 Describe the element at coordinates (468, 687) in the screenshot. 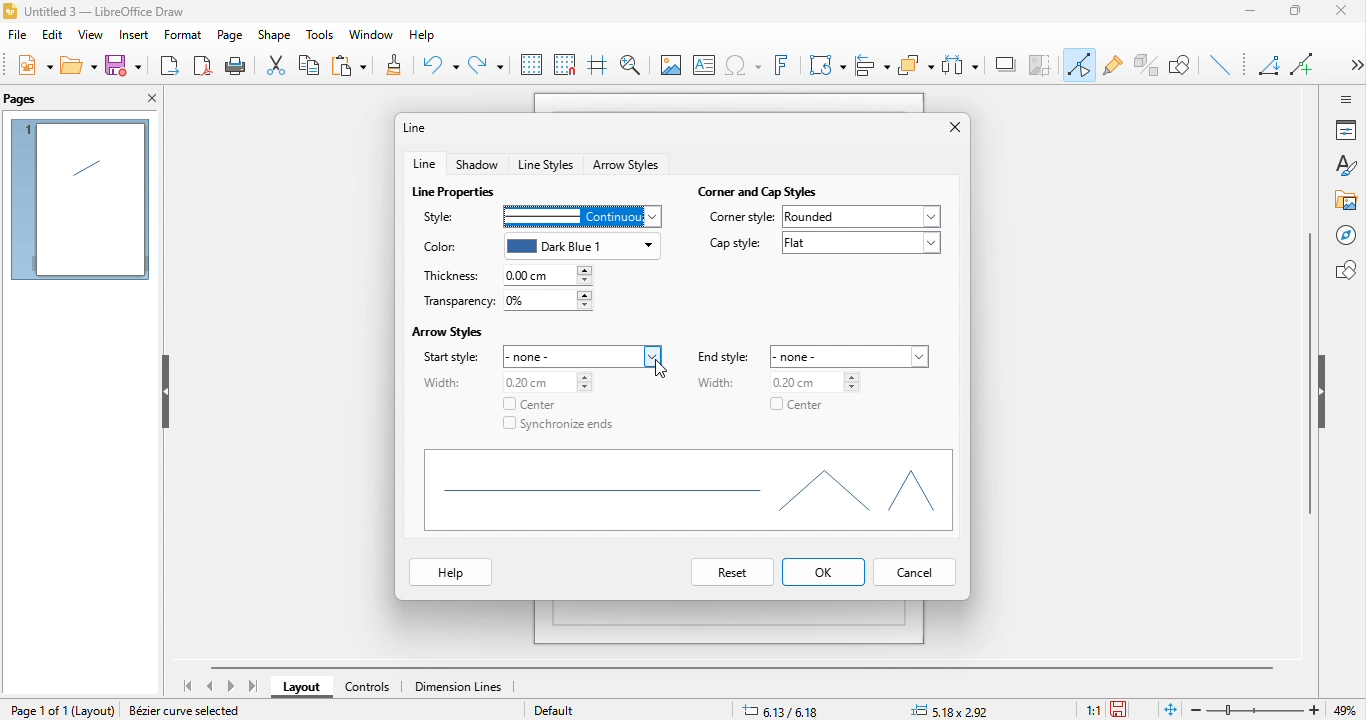

I see `dimension line` at that location.